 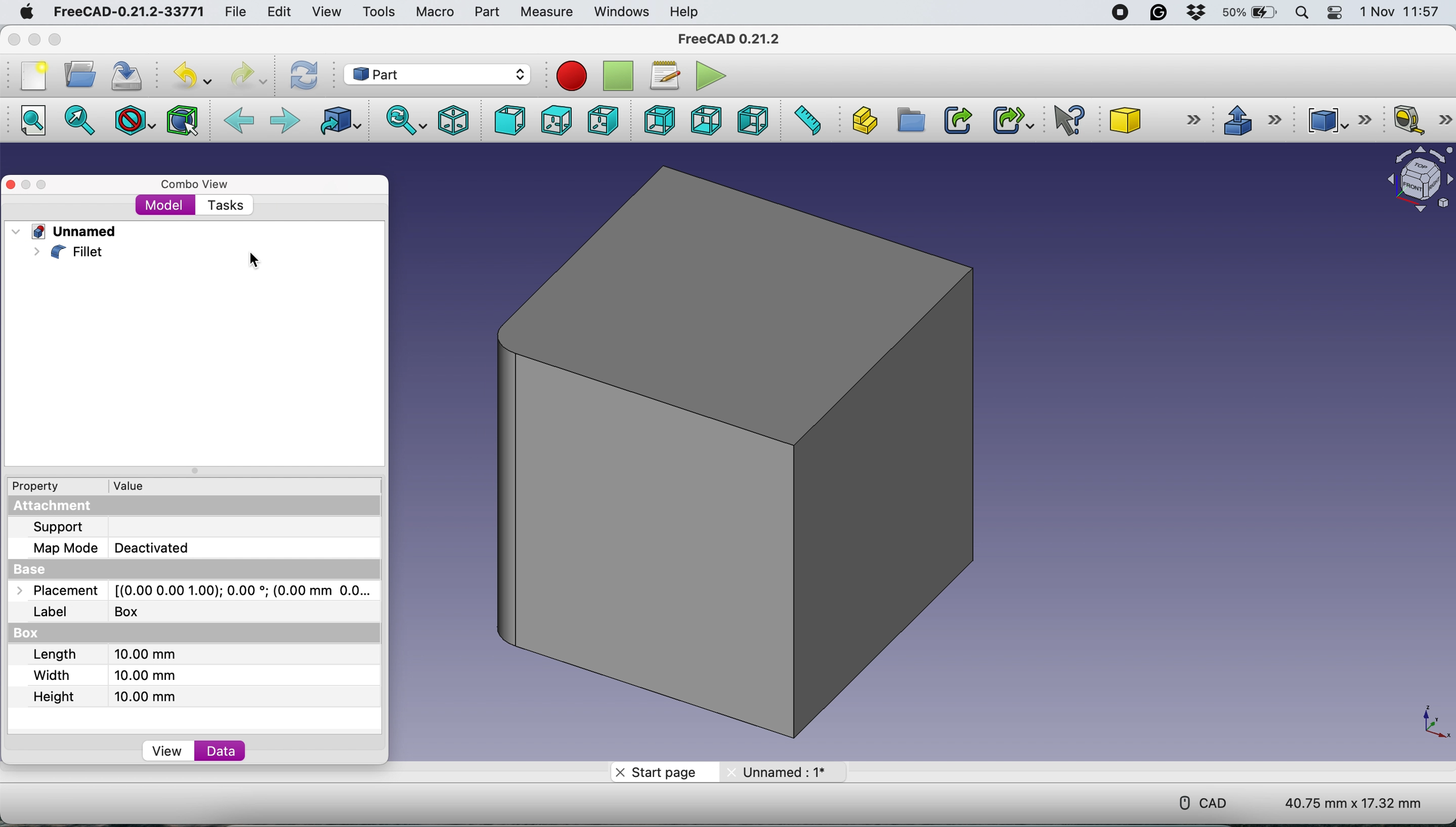 What do you see at coordinates (434, 11) in the screenshot?
I see `macro` at bounding box center [434, 11].